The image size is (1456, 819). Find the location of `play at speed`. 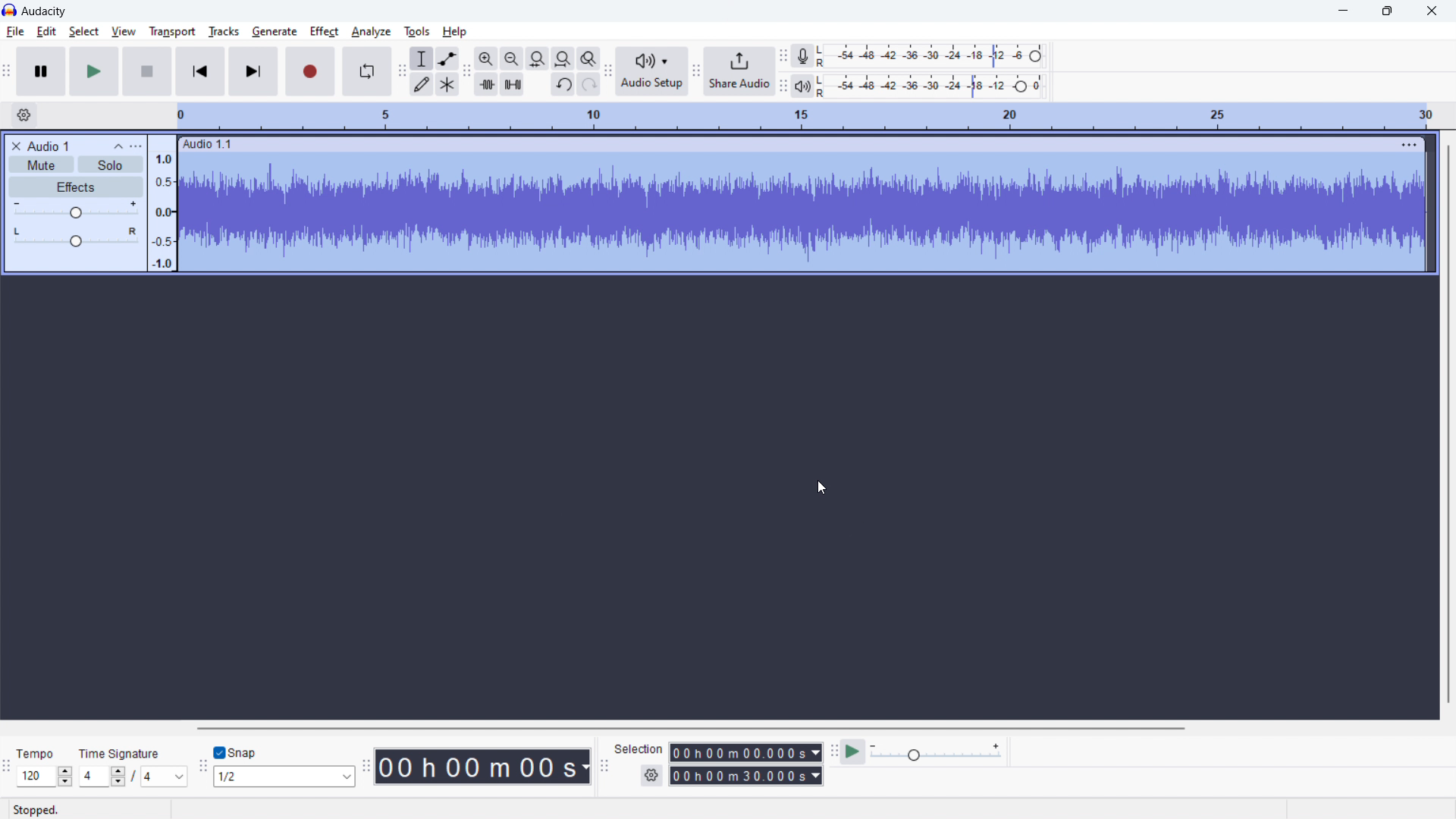

play at speed is located at coordinates (853, 752).